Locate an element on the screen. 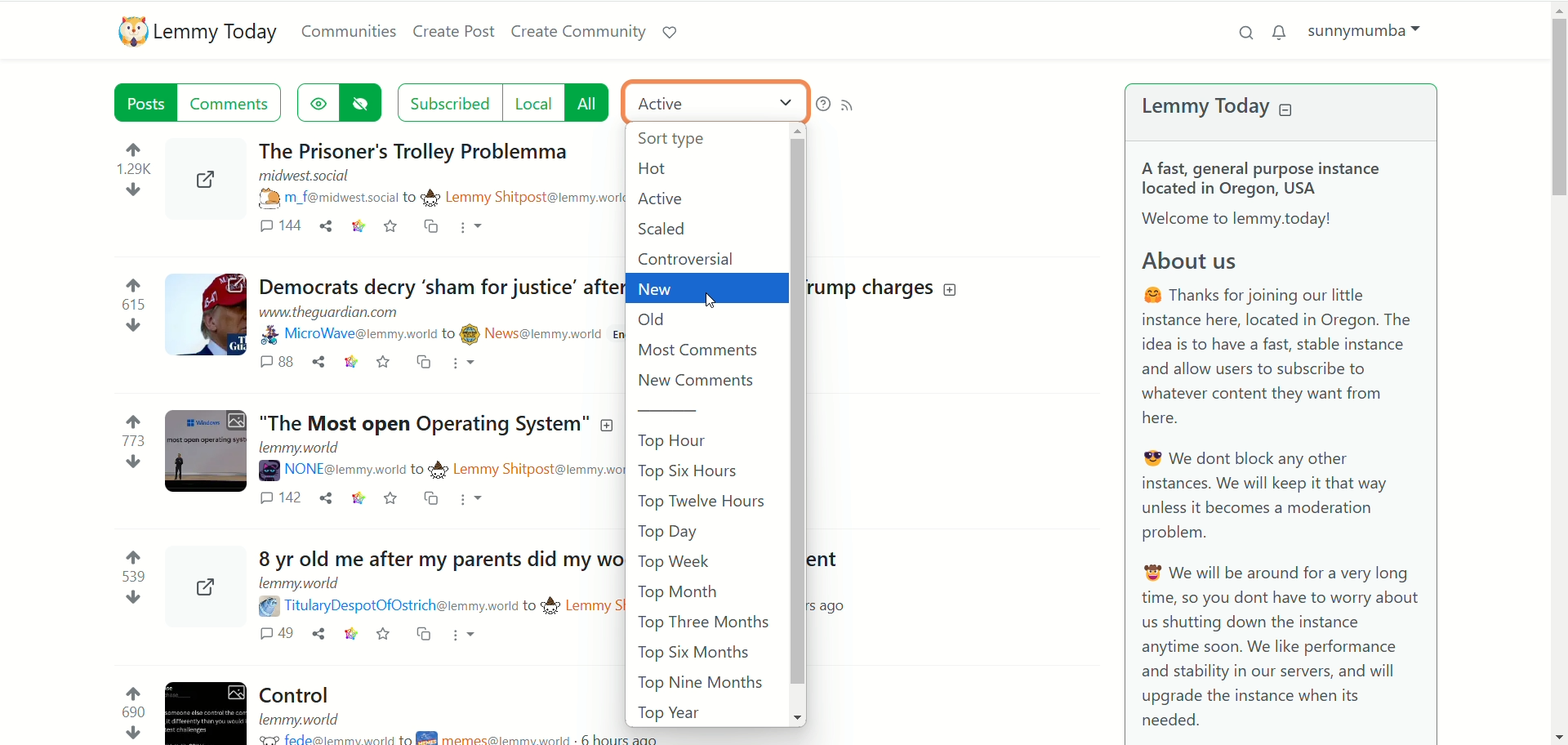  search is located at coordinates (1247, 31).